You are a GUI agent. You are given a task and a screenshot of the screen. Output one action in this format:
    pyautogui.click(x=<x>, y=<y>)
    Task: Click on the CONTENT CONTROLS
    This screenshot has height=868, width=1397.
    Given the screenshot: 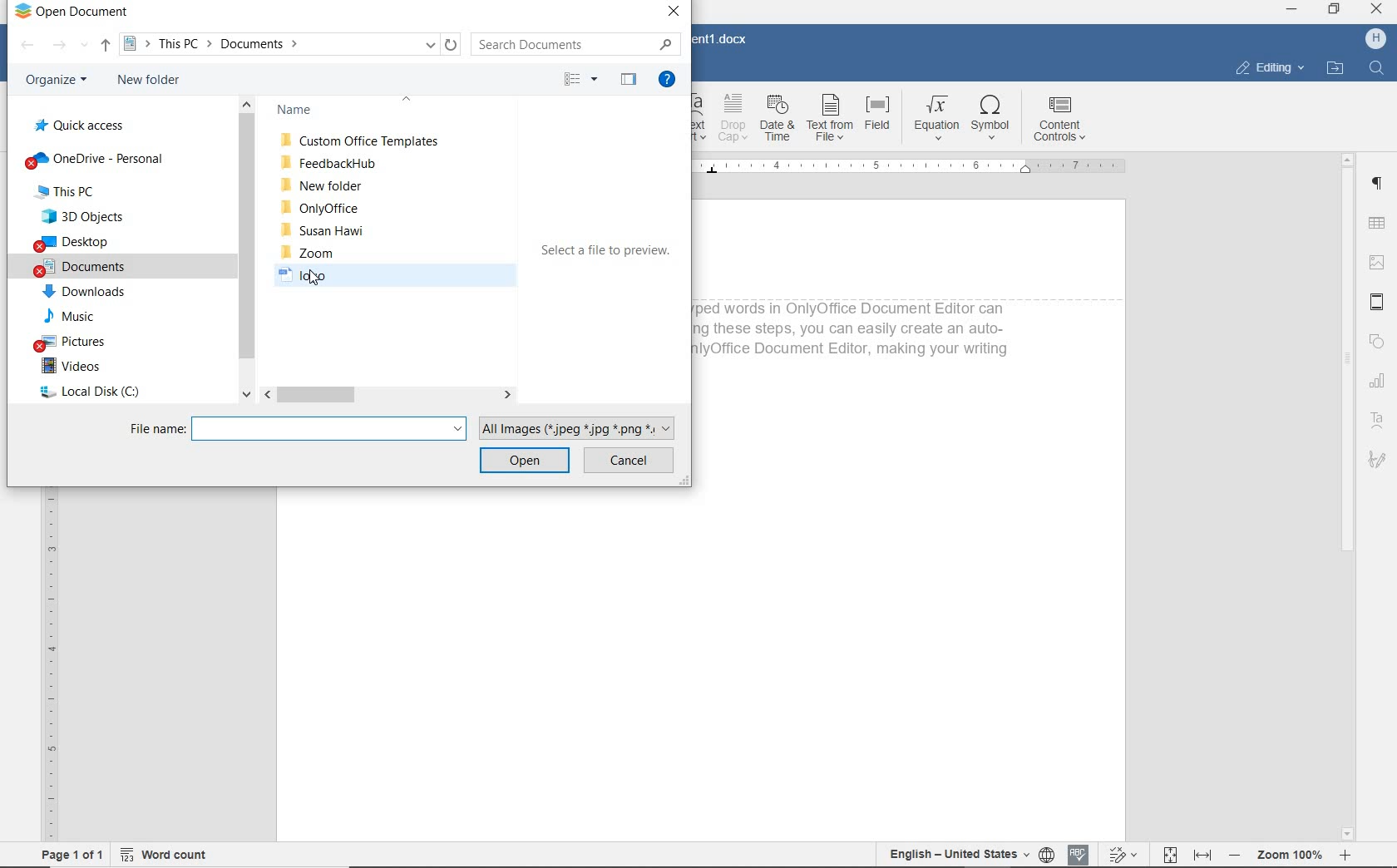 What is the action you would take?
    pyautogui.click(x=1063, y=120)
    